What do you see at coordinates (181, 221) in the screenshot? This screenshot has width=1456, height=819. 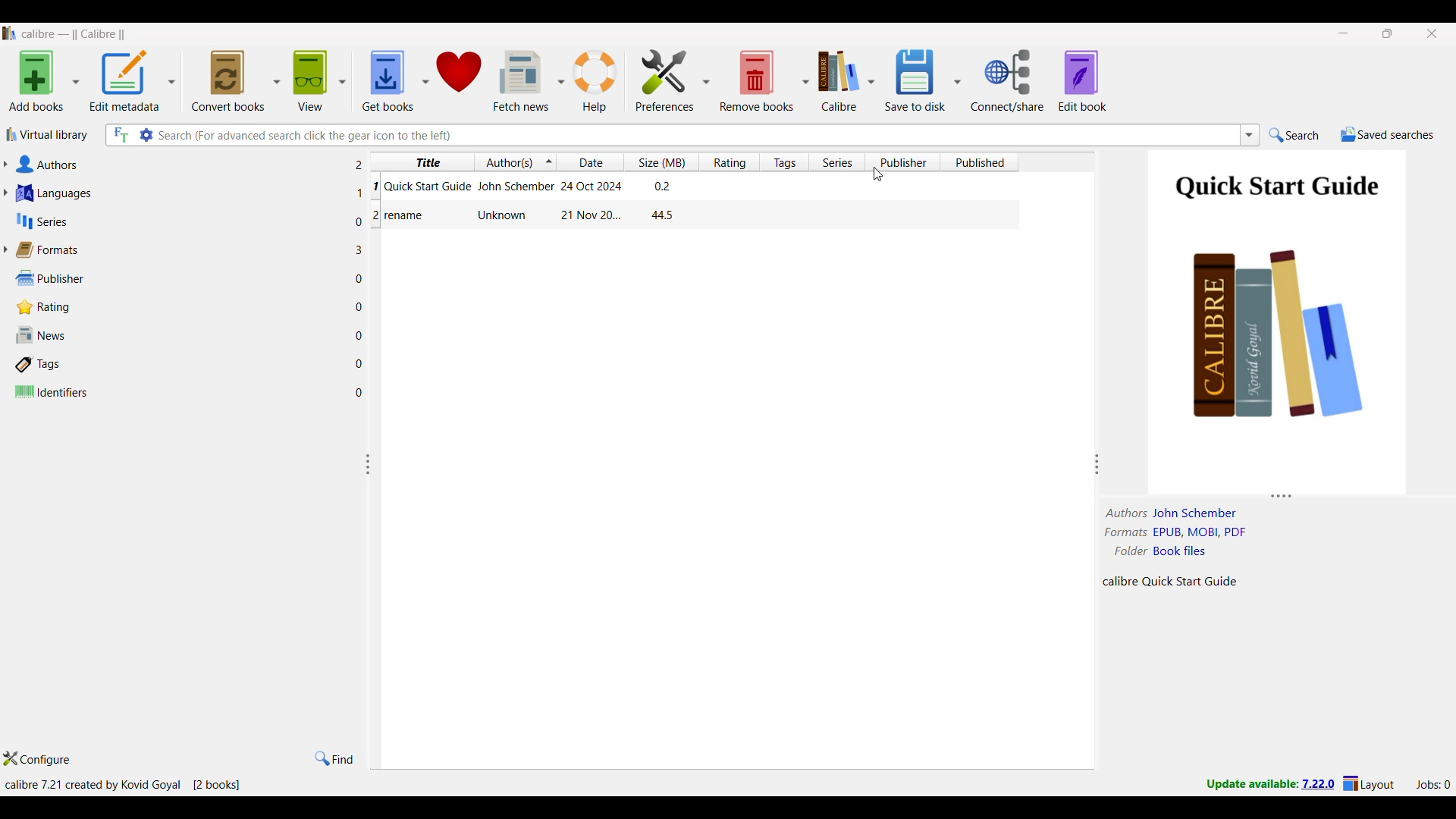 I see `Series` at bounding box center [181, 221].